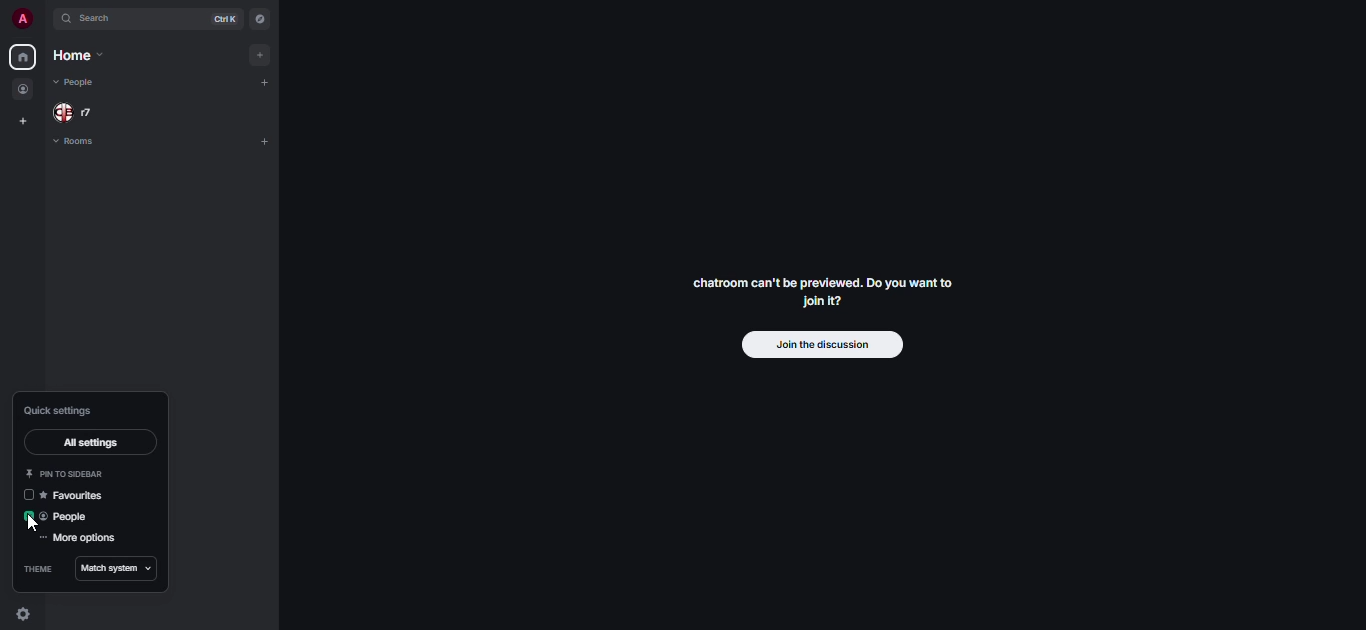 The width and height of the screenshot is (1366, 630). I want to click on cursor, so click(31, 525).